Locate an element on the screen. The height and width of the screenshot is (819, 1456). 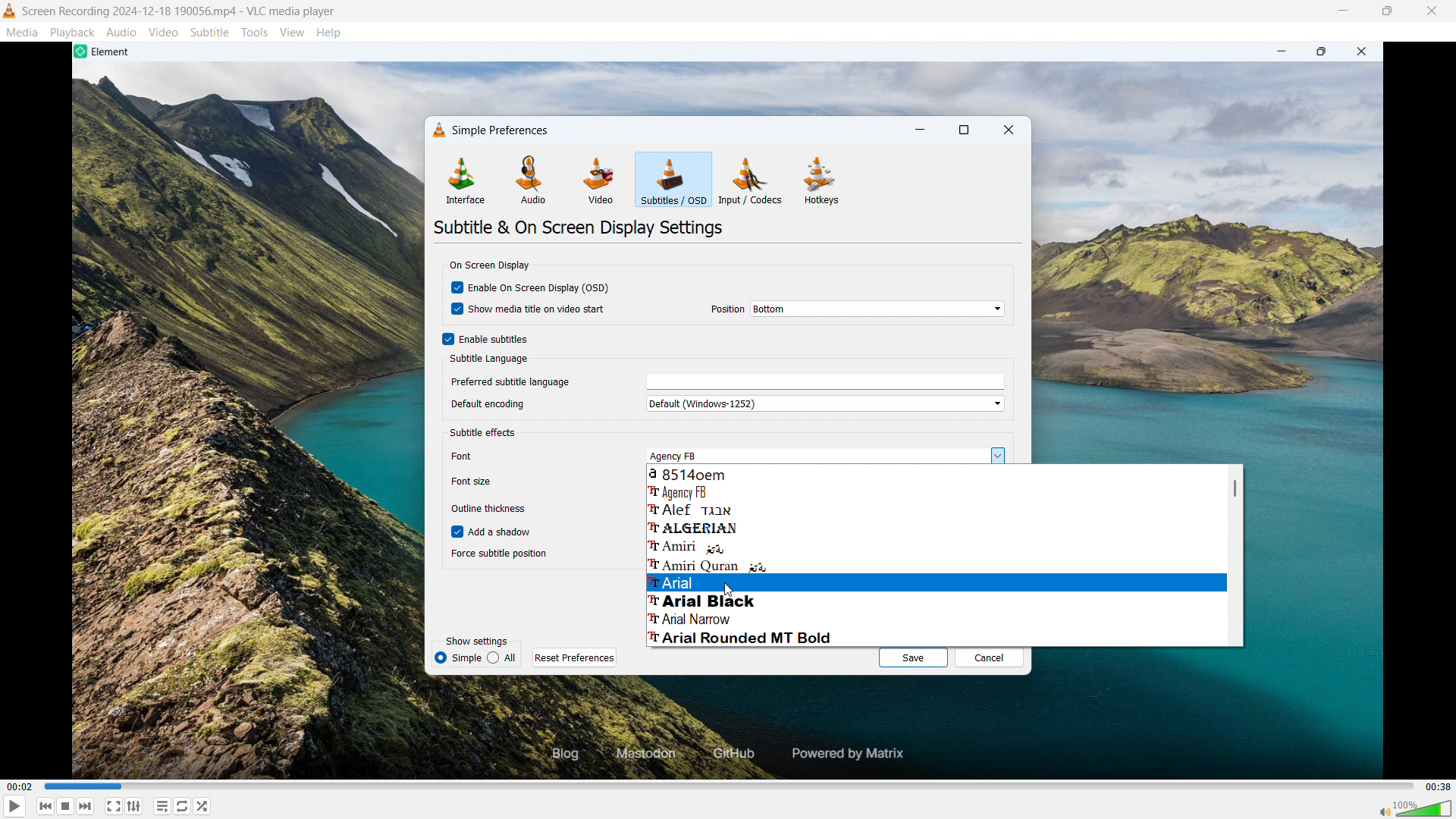
play is located at coordinates (15, 806).